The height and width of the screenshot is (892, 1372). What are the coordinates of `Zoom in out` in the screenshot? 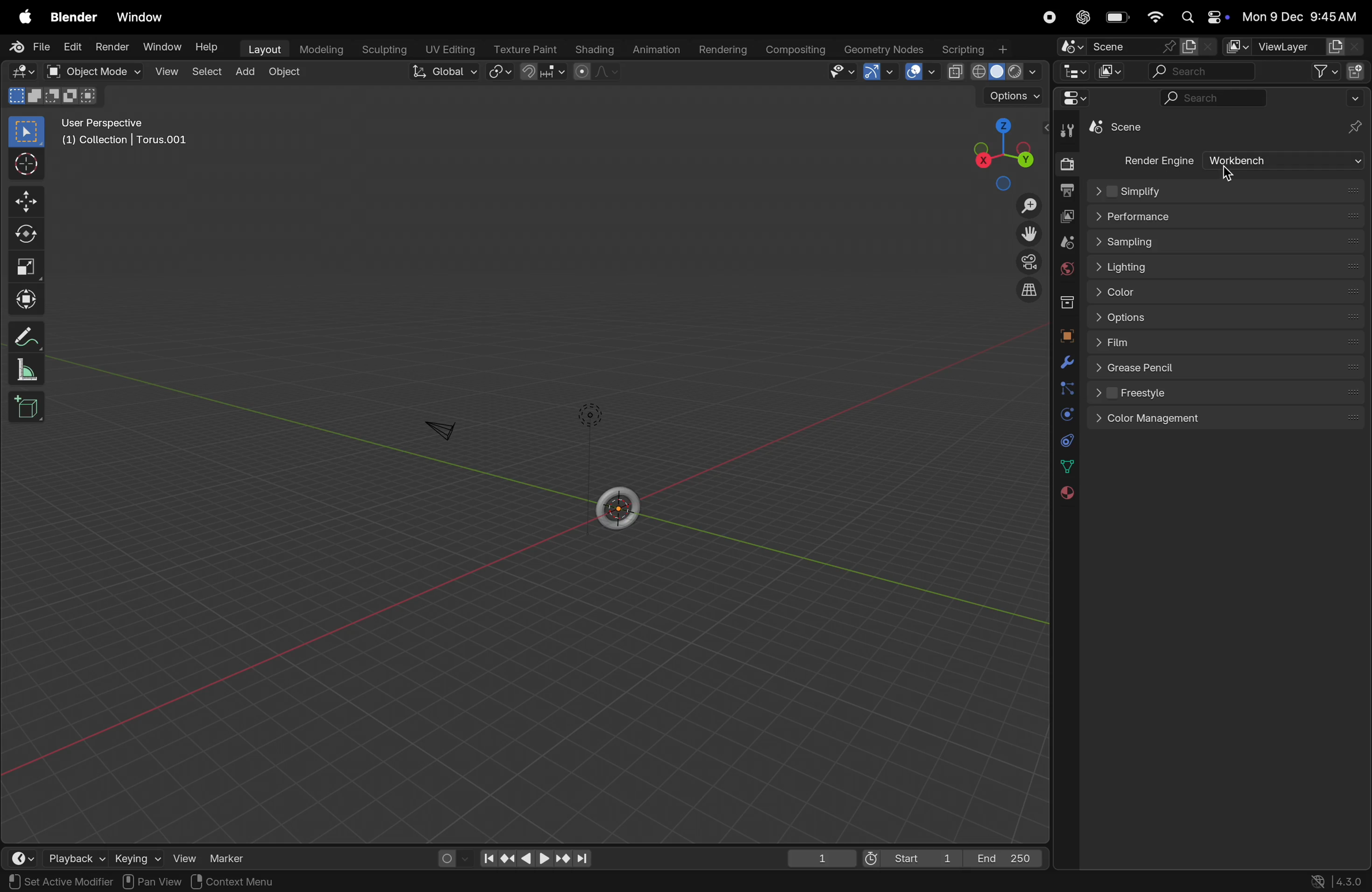 It's located at (1028, 205).